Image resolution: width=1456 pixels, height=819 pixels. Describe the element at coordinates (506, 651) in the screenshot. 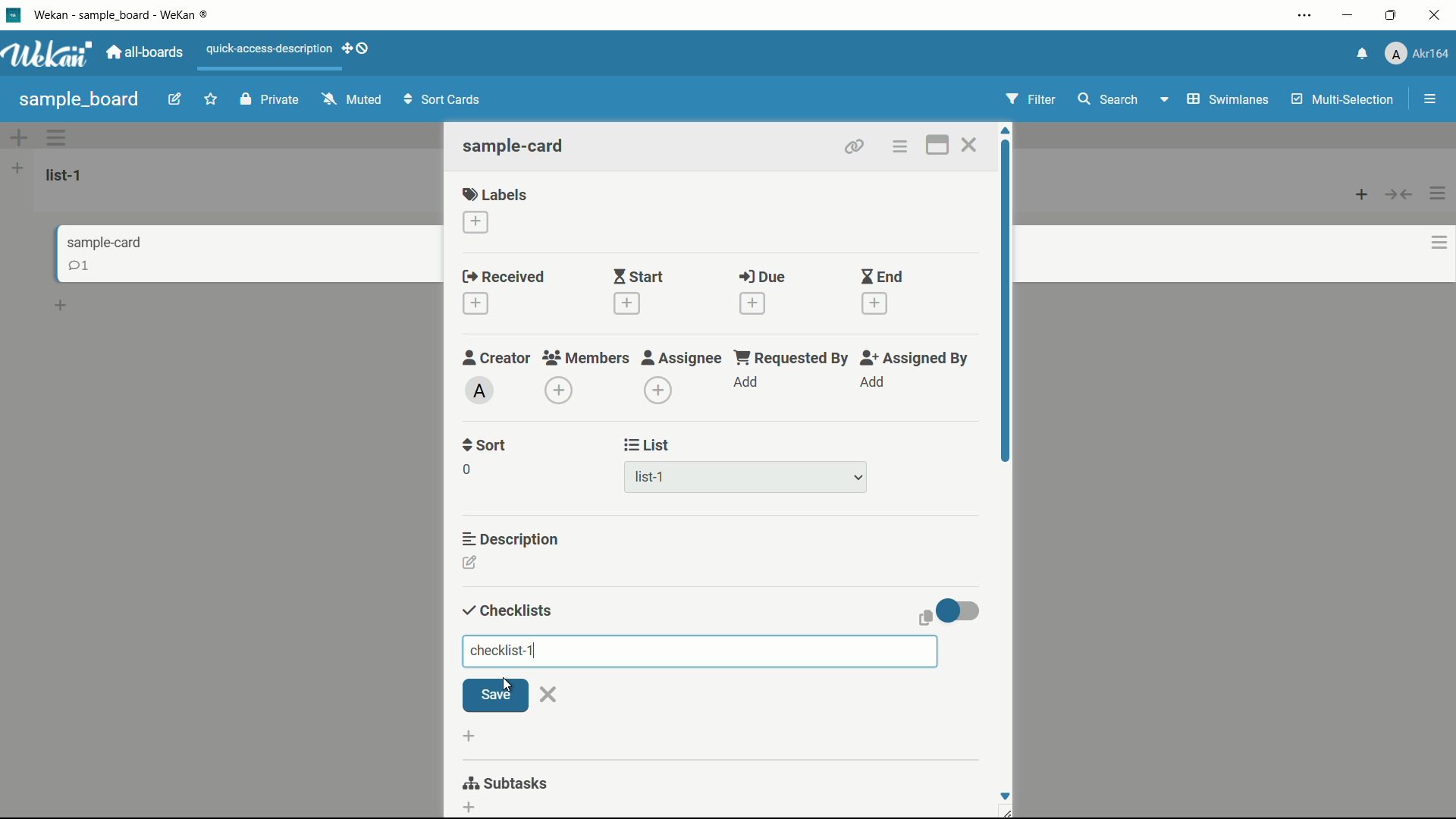

I see `checklist` at that location.